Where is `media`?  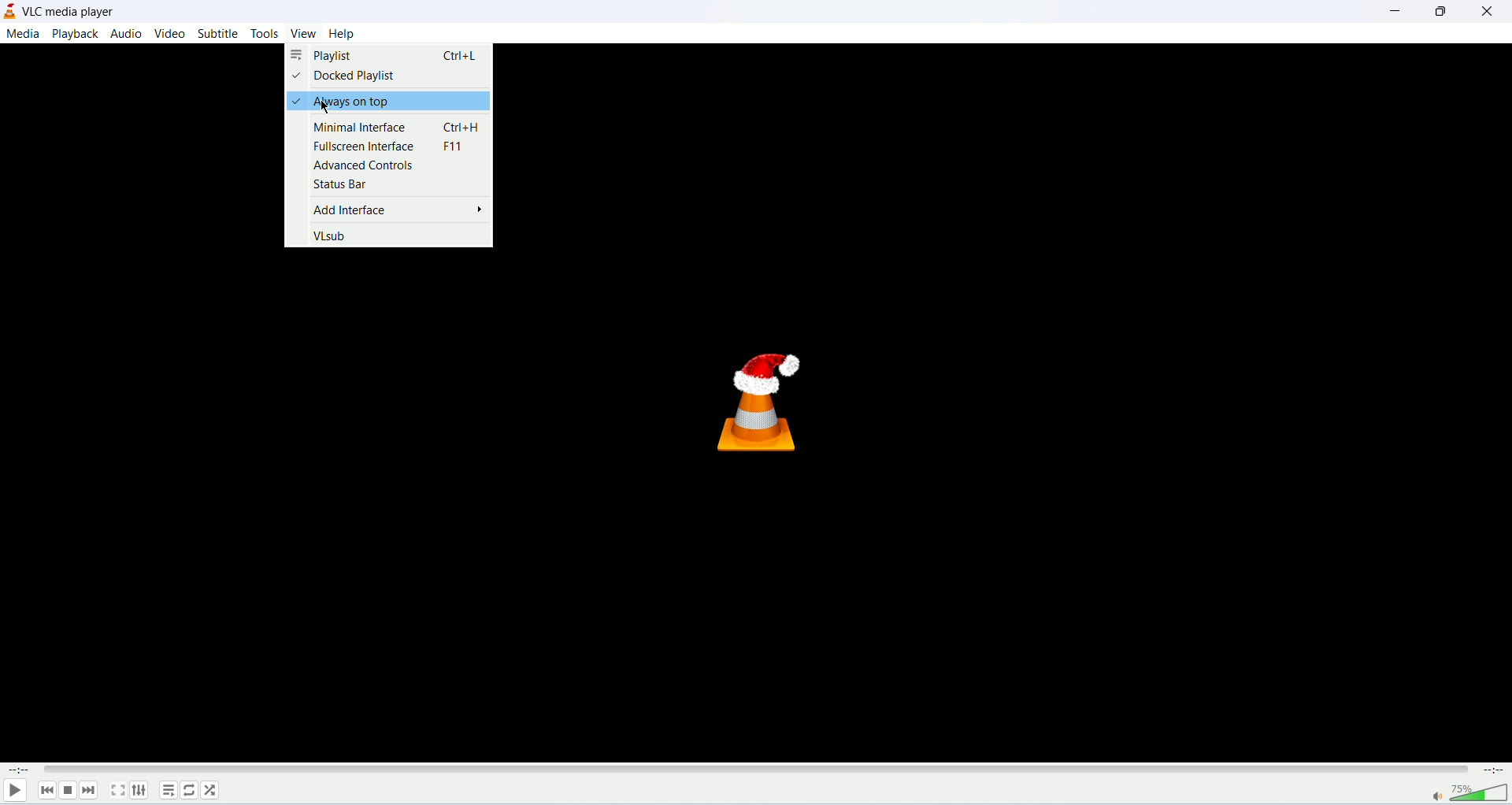 media is located at coordinates (22, 35).